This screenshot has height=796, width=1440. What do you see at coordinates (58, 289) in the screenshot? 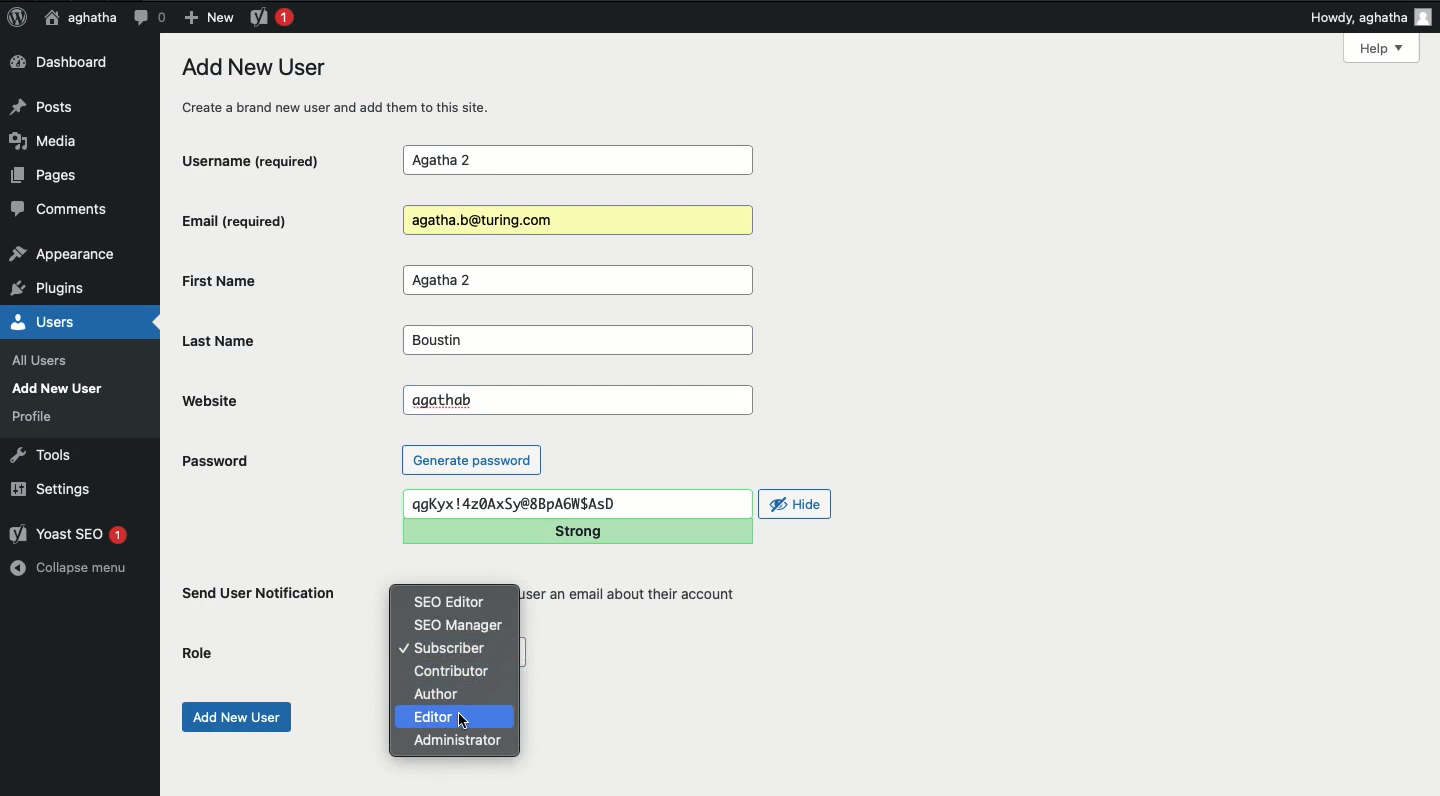
I see `plugins` at bounding box center [58, 289].